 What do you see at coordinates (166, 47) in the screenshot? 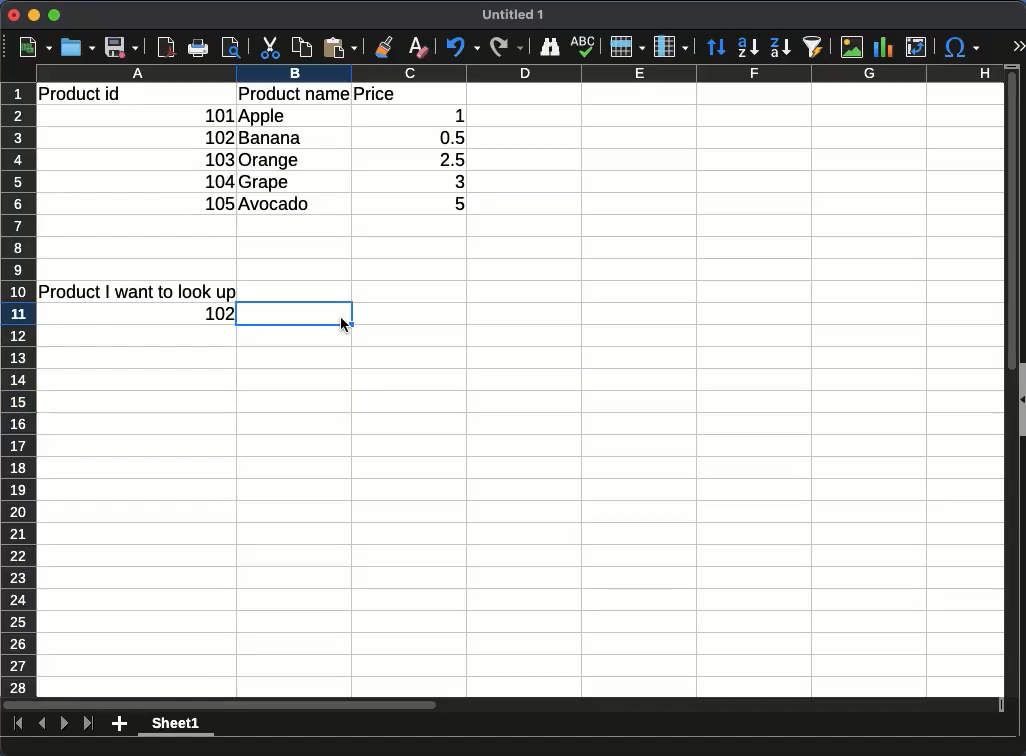
I see `pdf viewer` at bounding box center [166, 47].